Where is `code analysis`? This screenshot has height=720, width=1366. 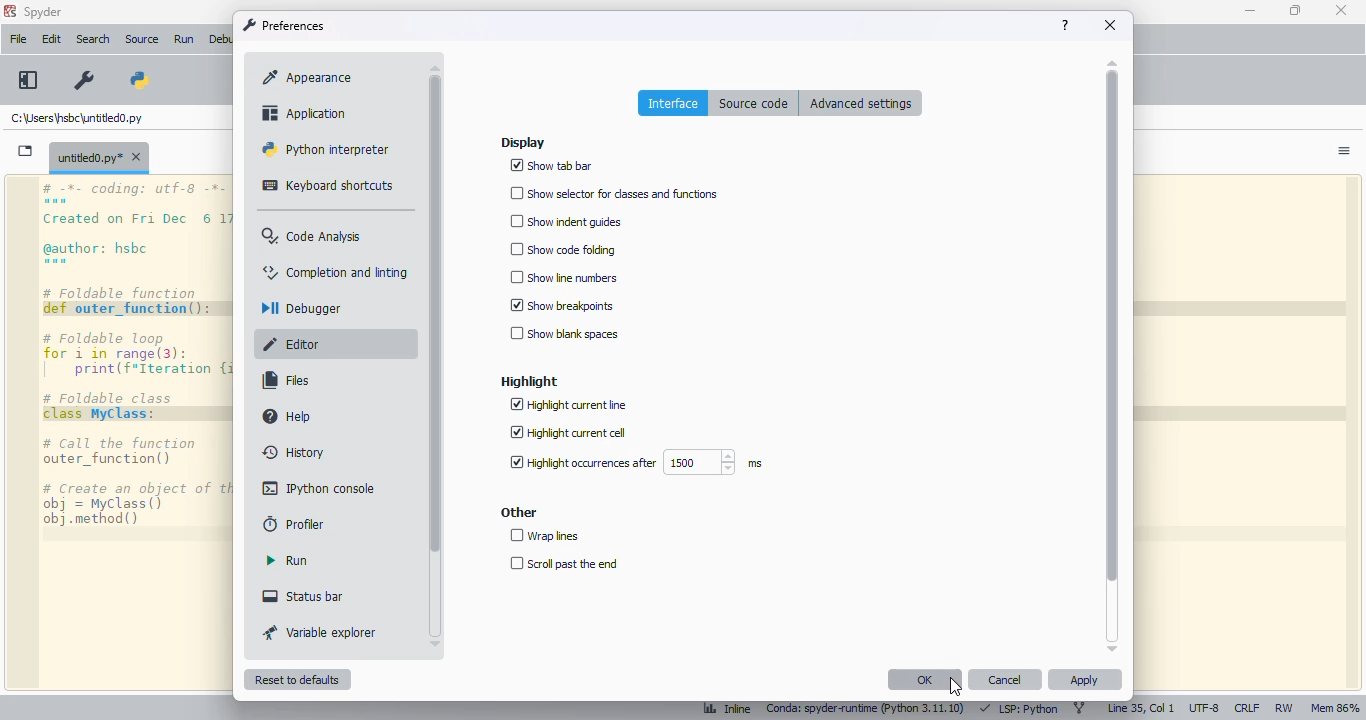
code analysis is located at coordinates (311, 236).